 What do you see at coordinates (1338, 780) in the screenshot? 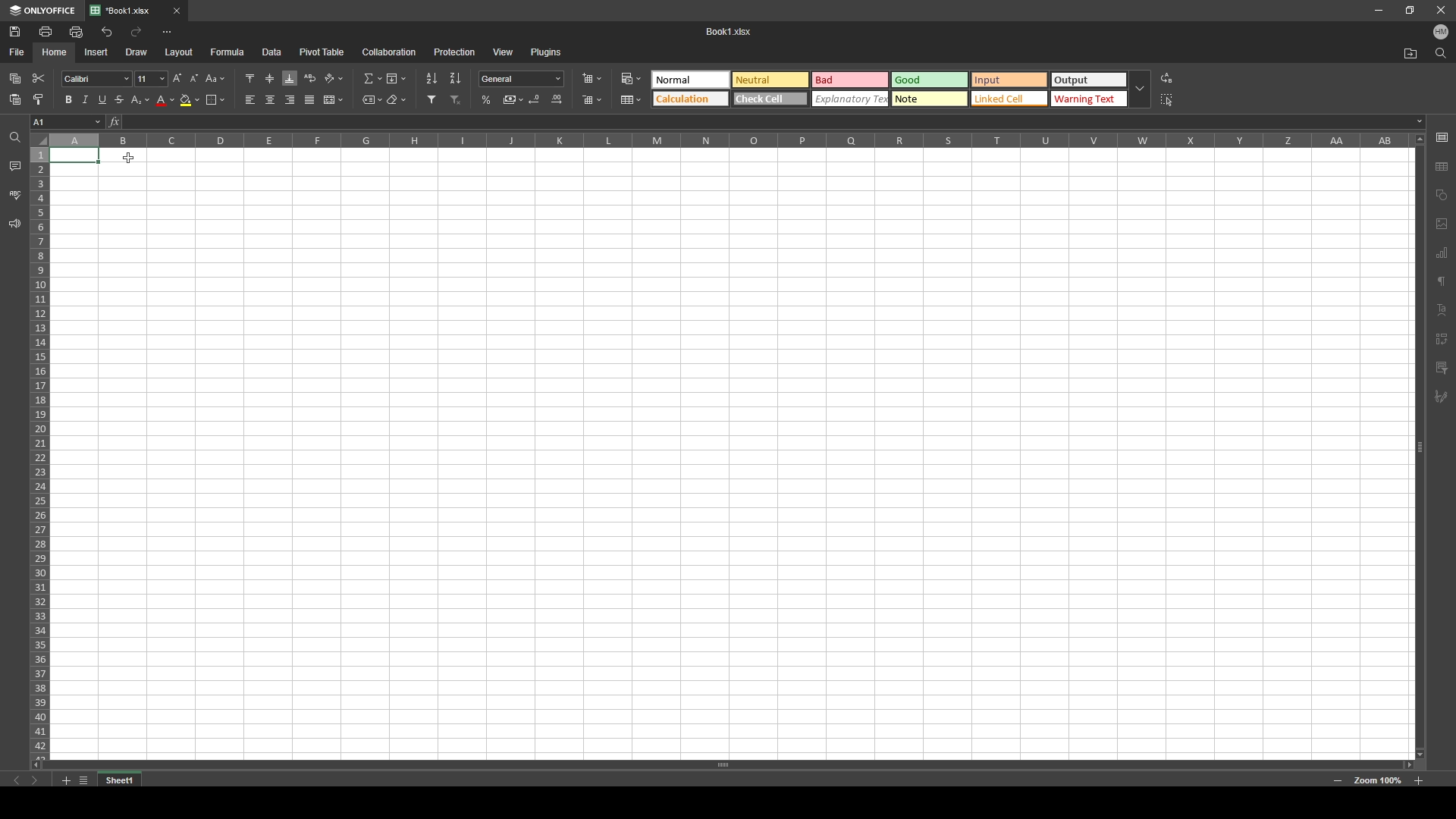
I see `zoom out` at bounding box center [1338, 780].